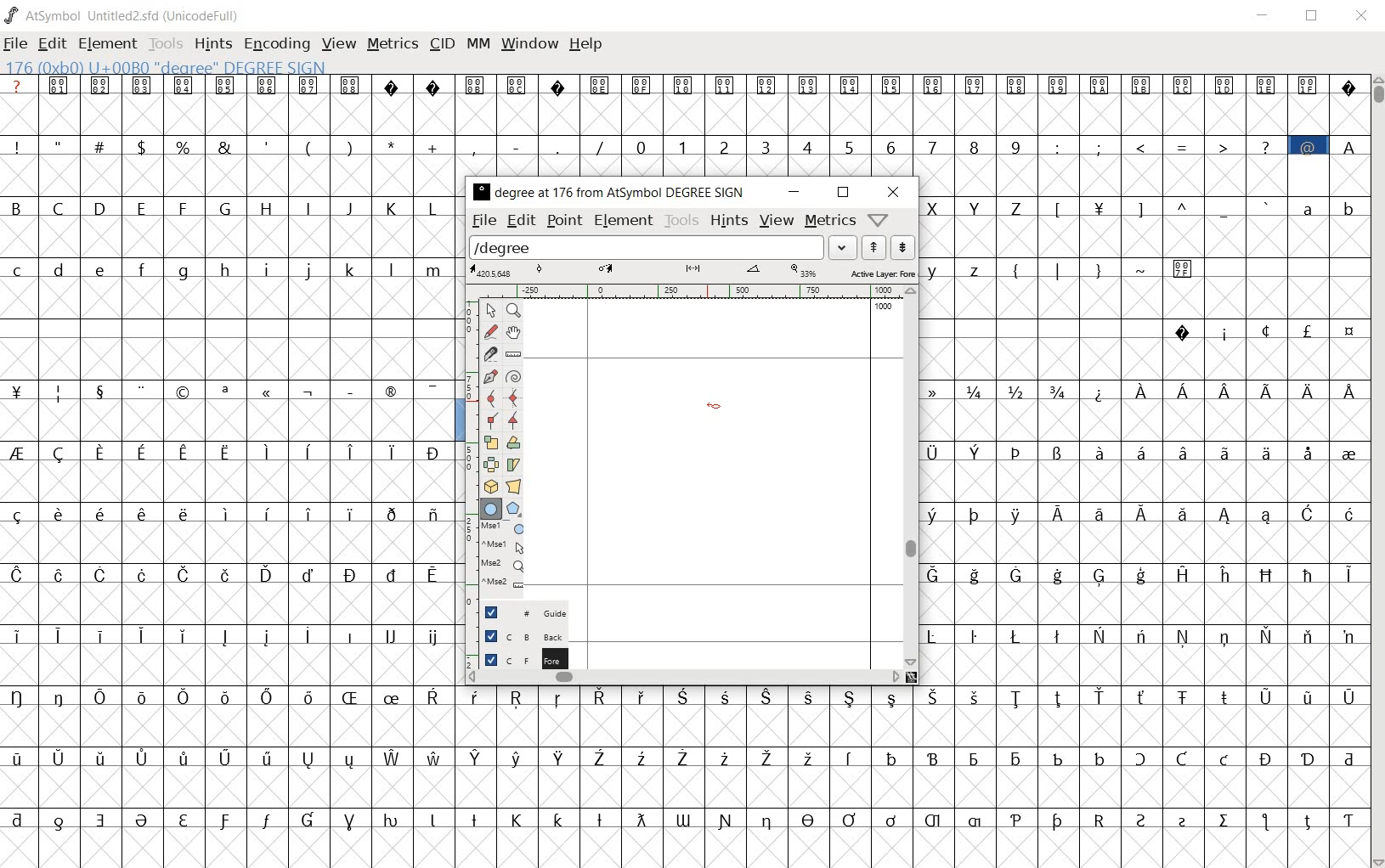 The height and width of the screenshot is (868, 1385). I want to click on special letters, so click(1144, 633).